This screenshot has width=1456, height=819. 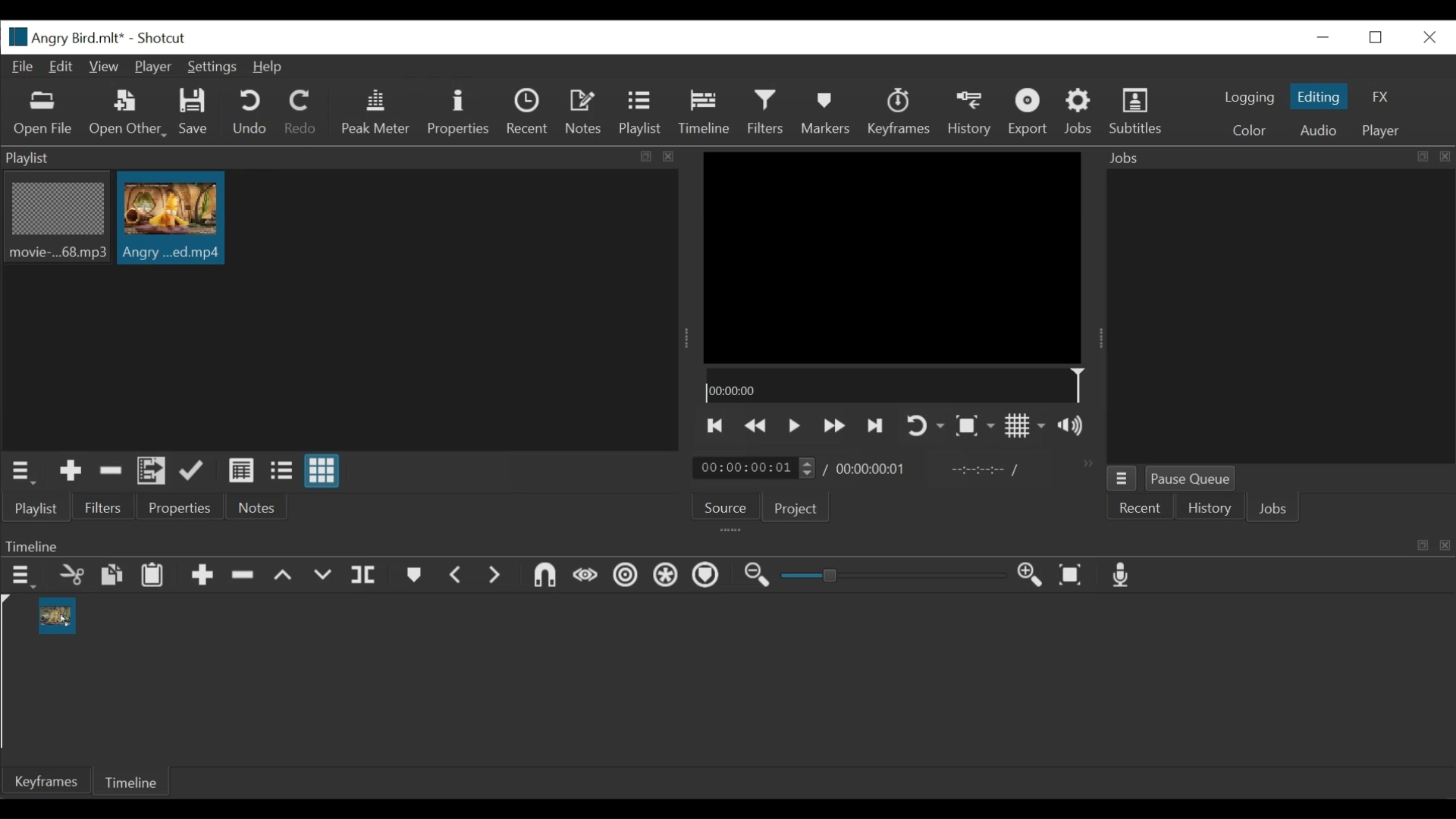 I want to click on Shotcut, so click(x=166, y=37).